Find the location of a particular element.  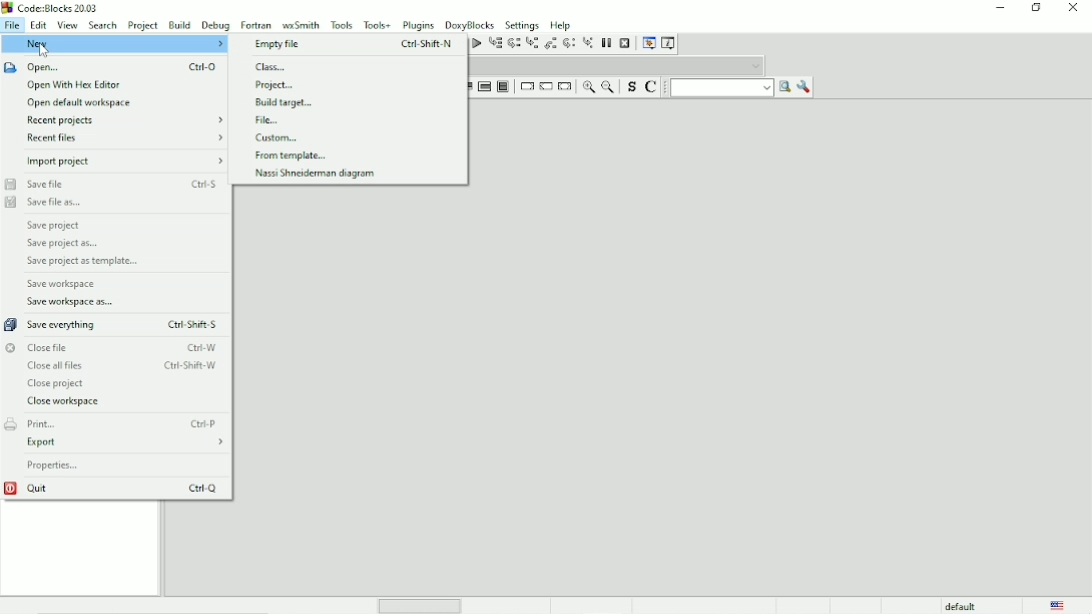

Project is located at coordinates (275, 85).